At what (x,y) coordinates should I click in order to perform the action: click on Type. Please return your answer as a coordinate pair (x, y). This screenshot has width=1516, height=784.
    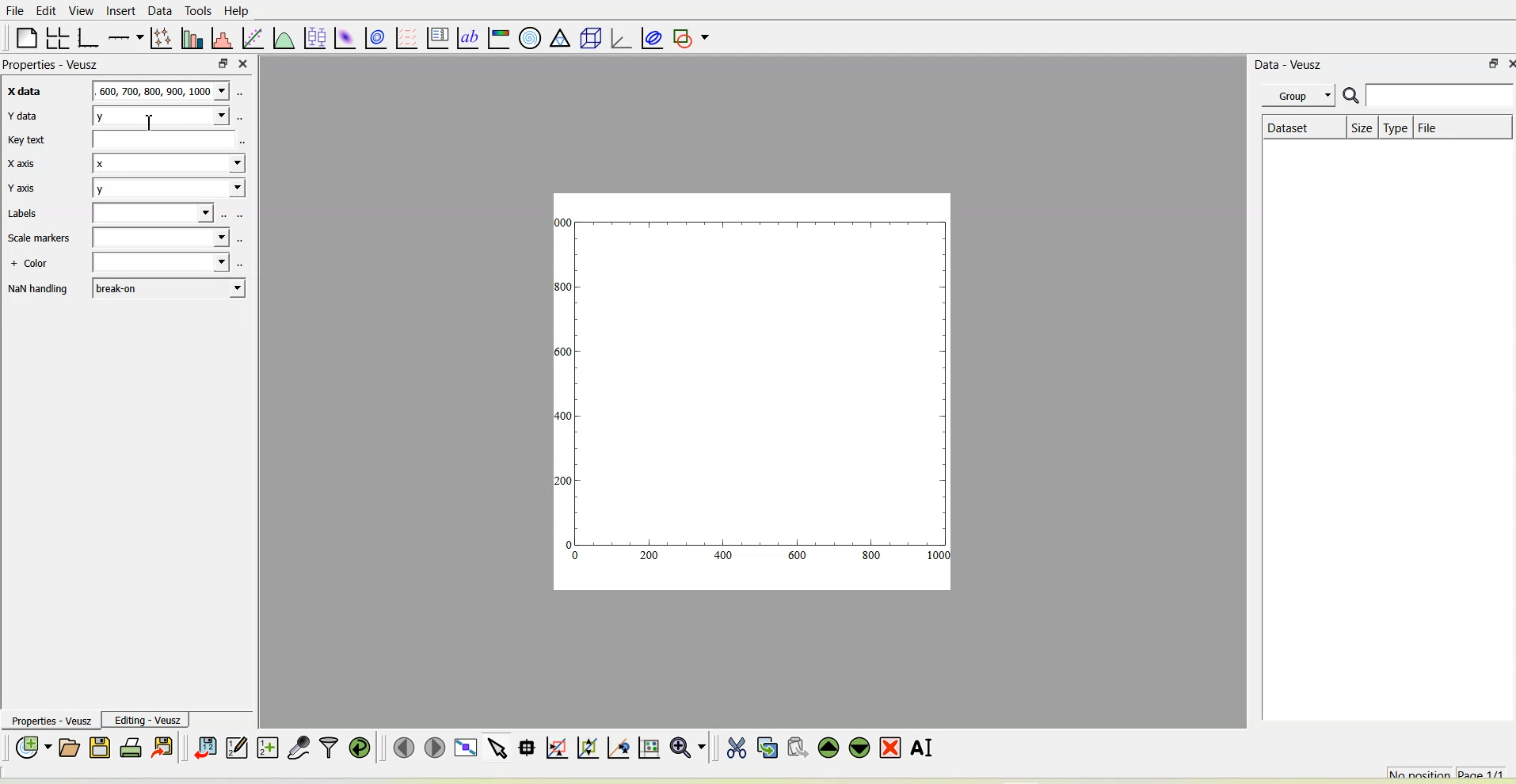
    Looking at the image, I should click on (1396, 127).